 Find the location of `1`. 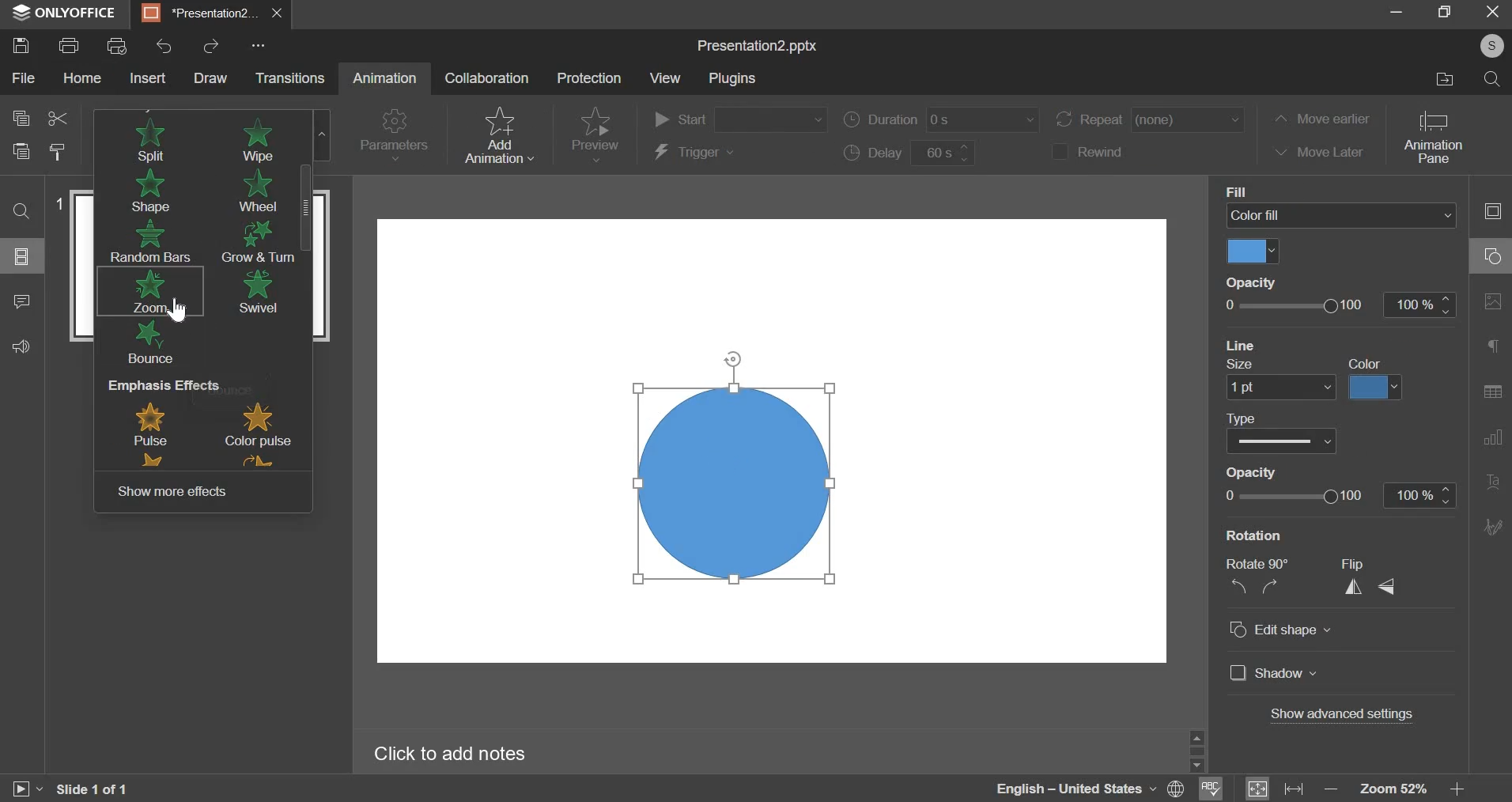

1 is located at coordinates (61, 206).